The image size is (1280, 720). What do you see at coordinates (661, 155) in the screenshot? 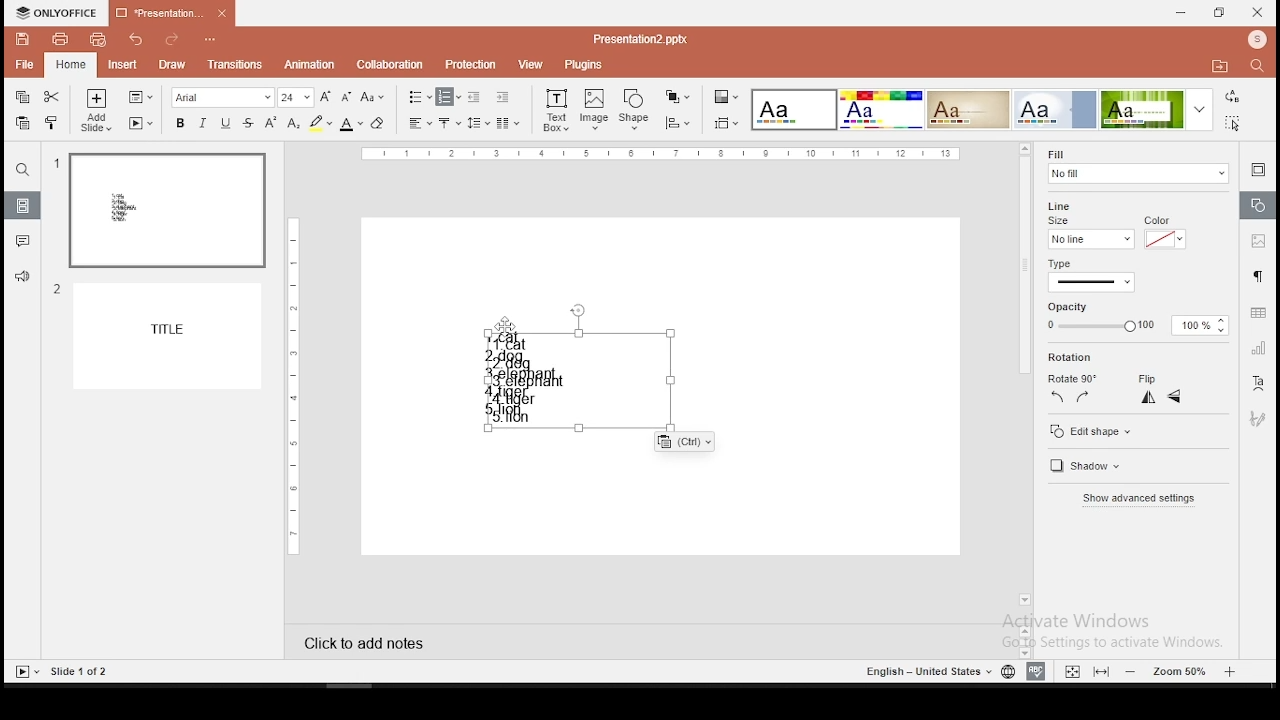
I see `scale` at bounding box center [661, 155].